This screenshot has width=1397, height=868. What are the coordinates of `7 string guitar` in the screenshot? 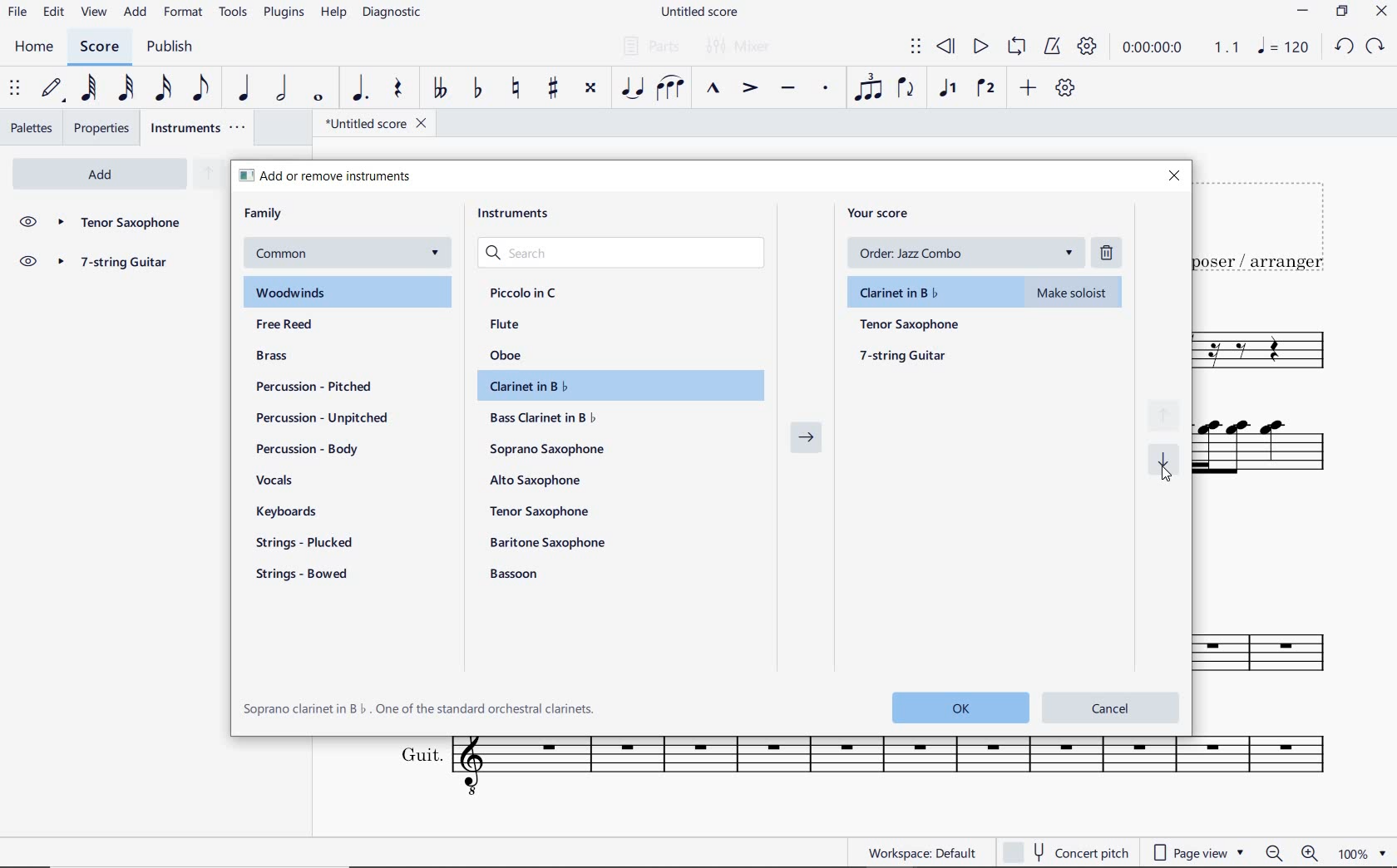 It's located at (120, 264).